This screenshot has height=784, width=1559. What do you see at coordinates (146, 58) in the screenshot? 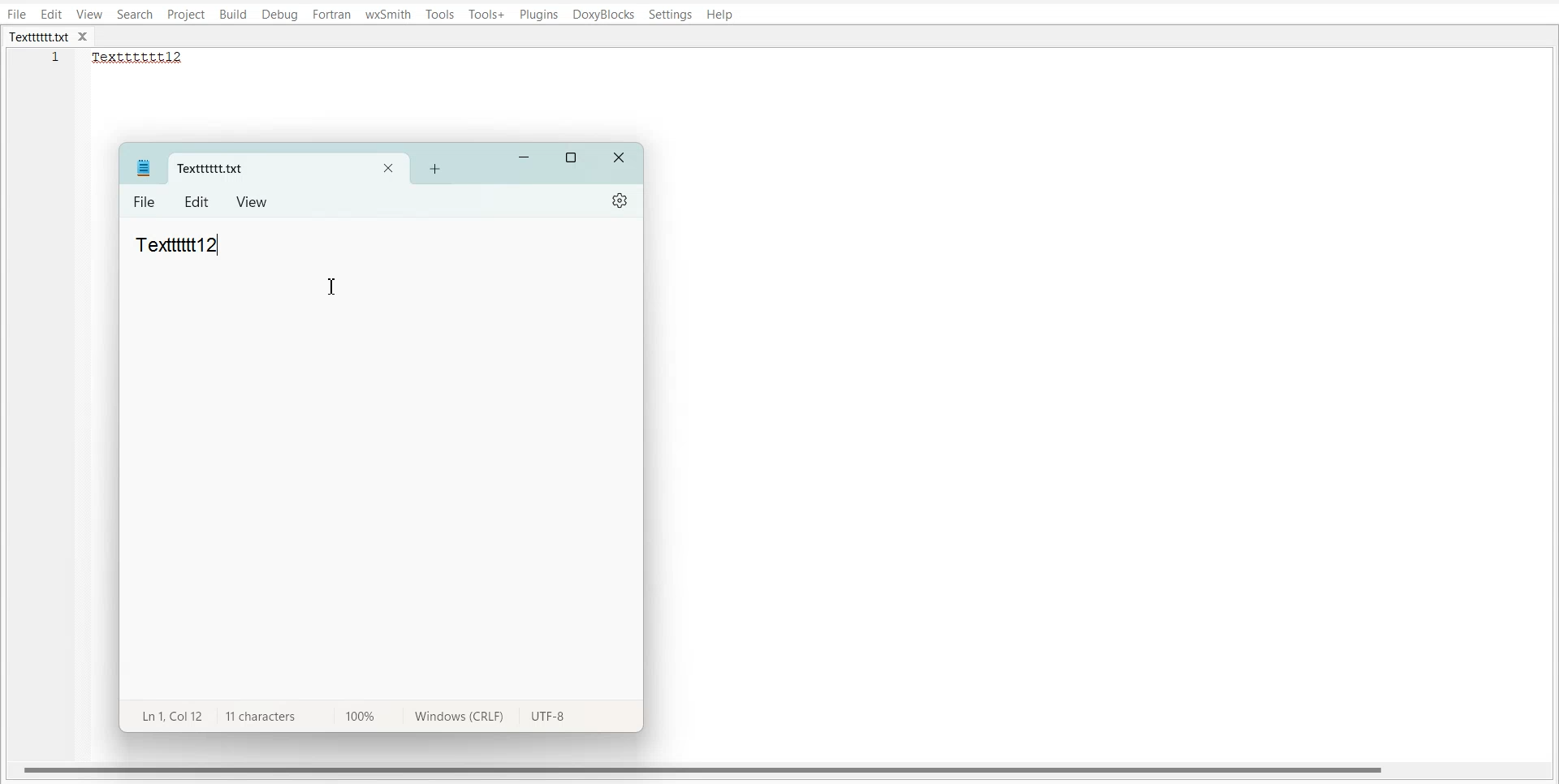
I see `Texttttttl2` at bounding box center [146, 58].